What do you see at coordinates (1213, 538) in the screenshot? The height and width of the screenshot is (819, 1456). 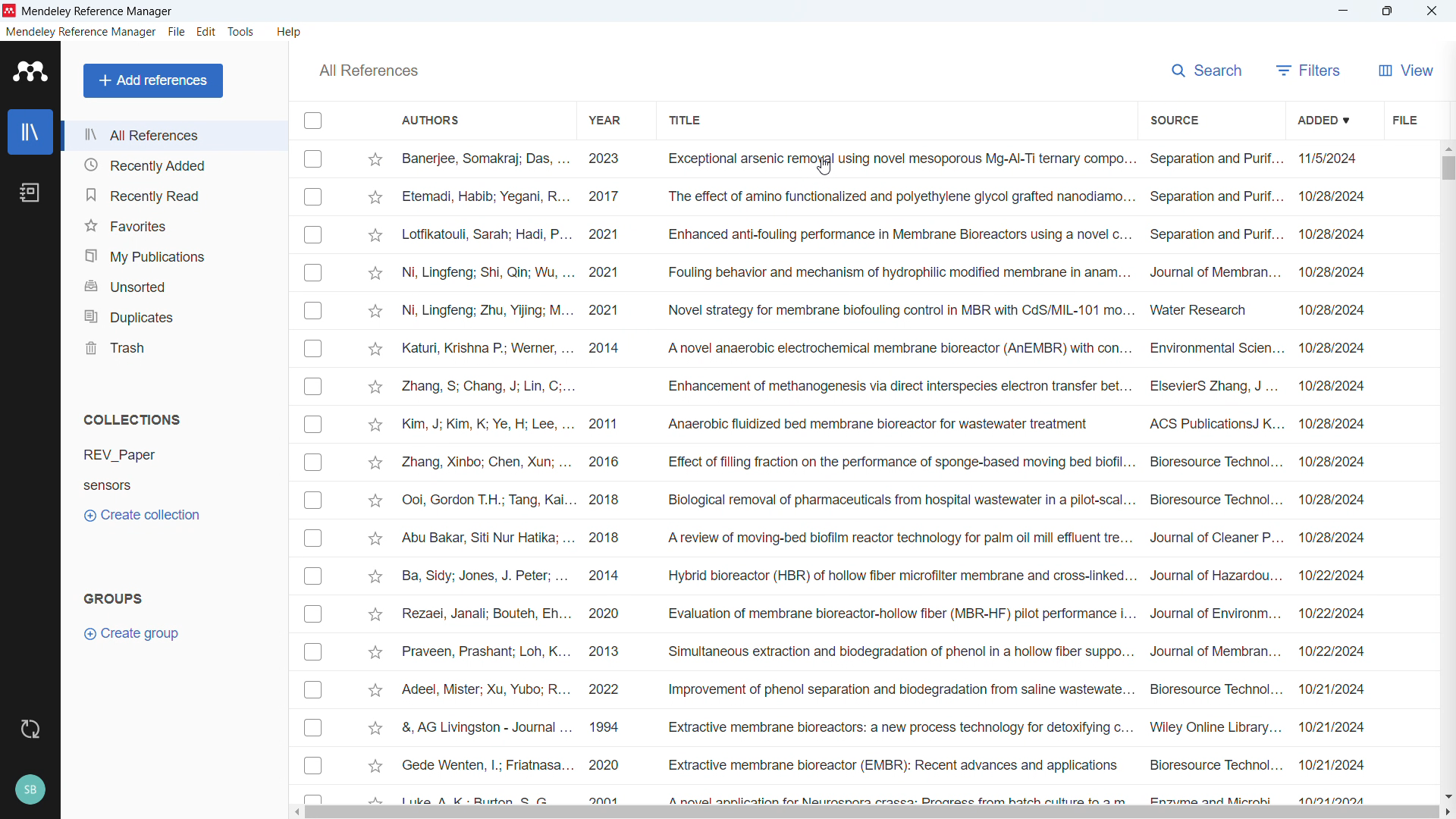 I see `journal of cleaner p` at bounding box center [1213, 538].